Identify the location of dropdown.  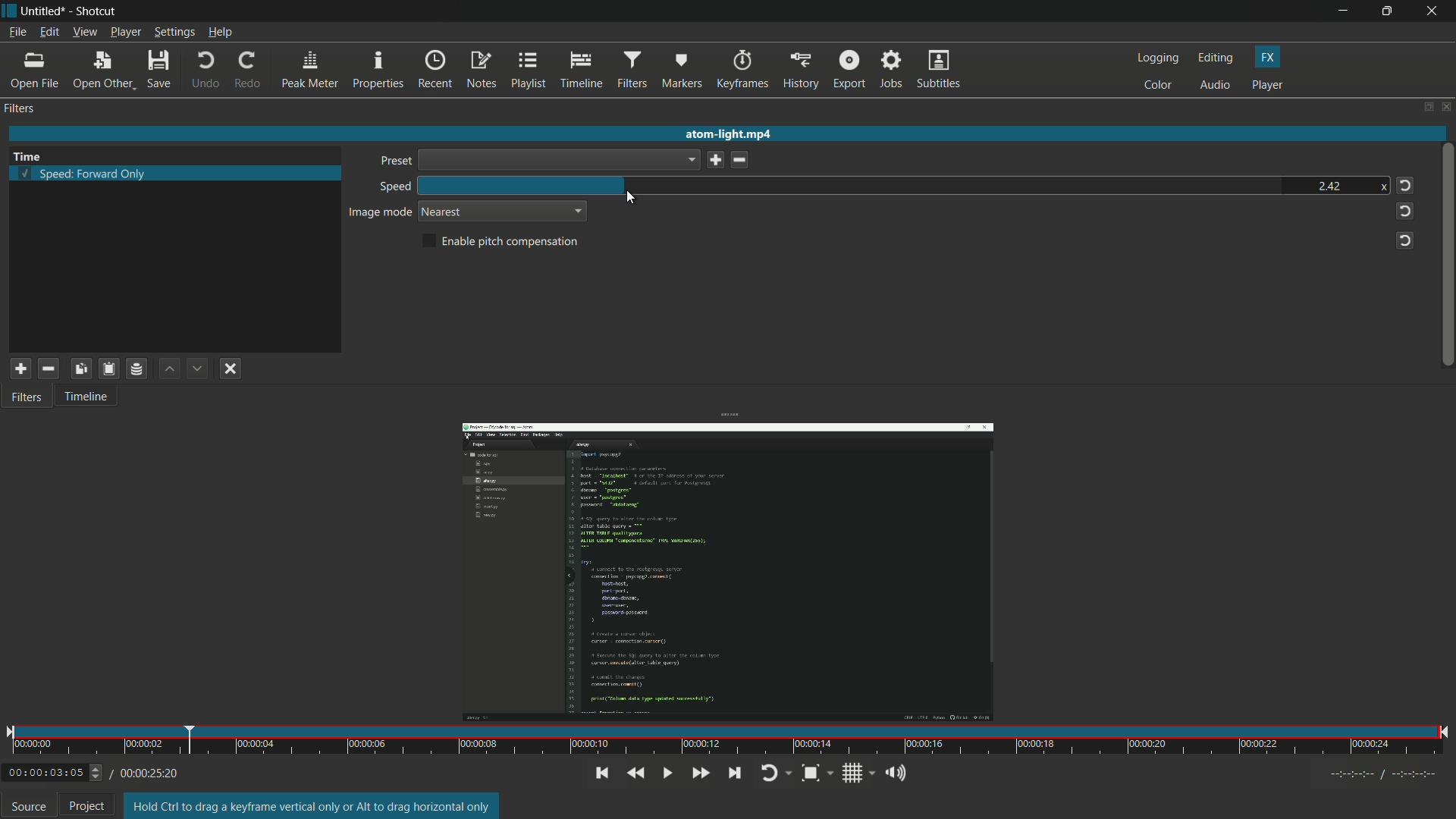
(576, 211).